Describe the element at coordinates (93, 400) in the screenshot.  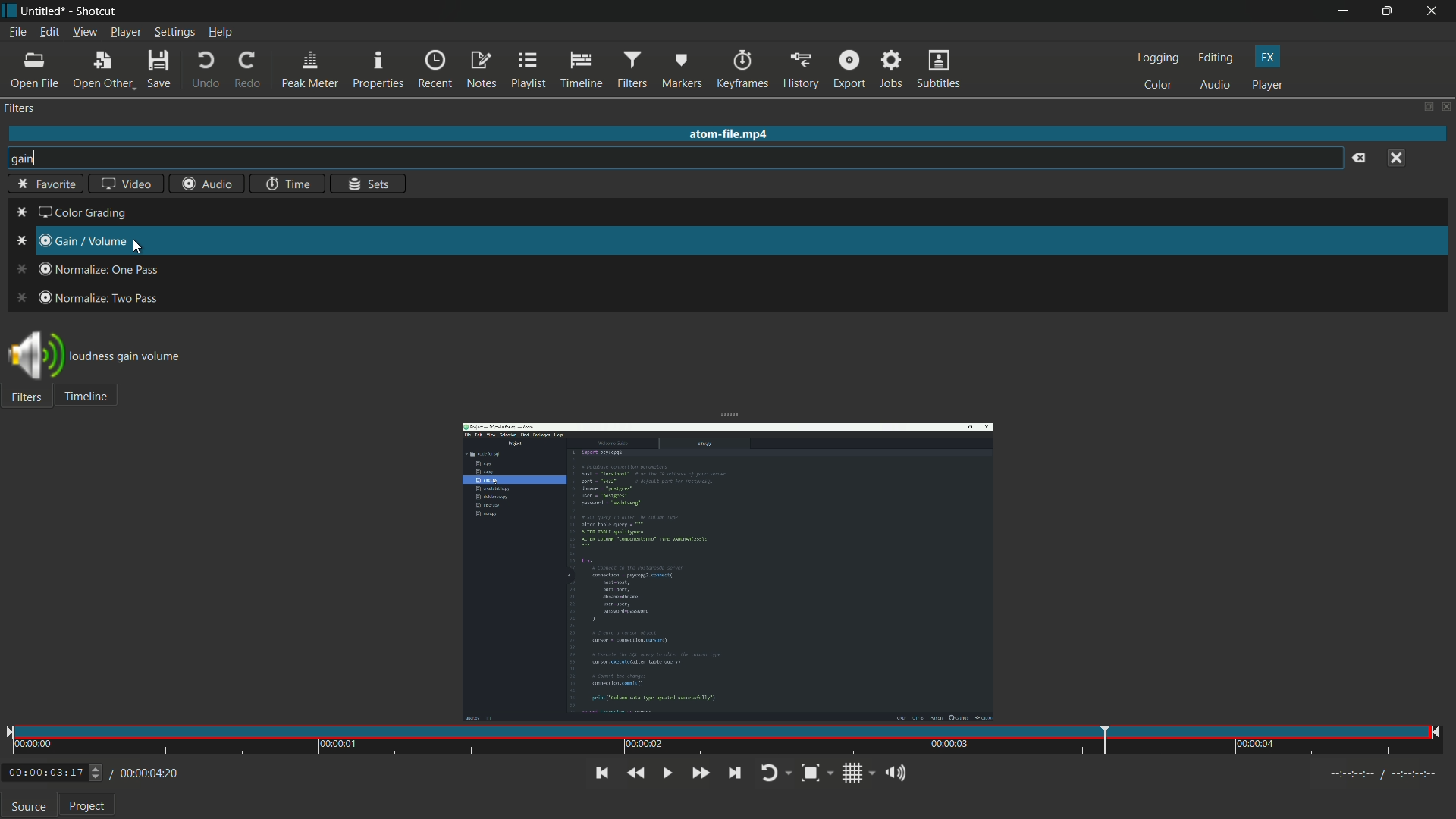
I see `Timeline` at that location.